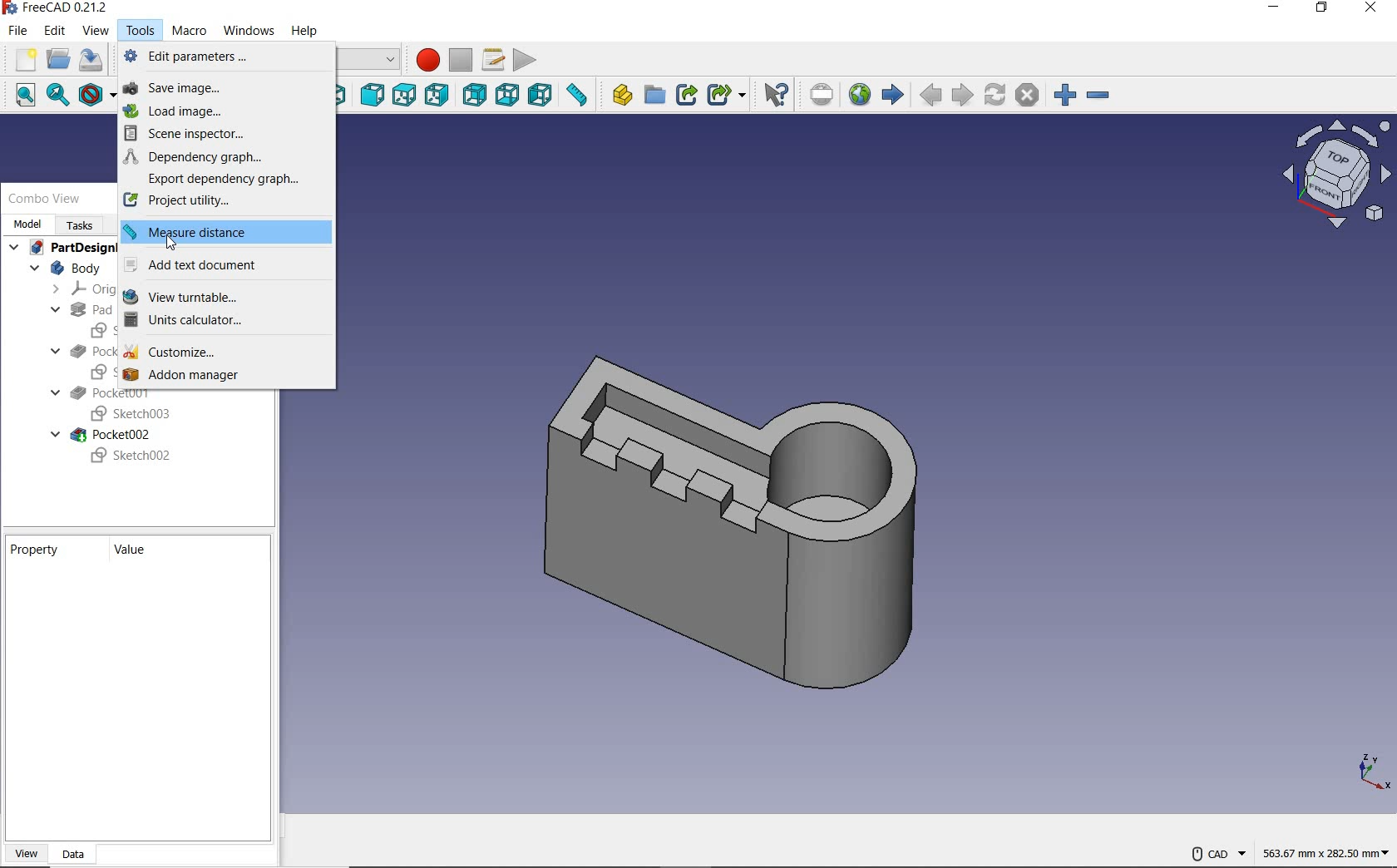  What do you see at coordinates (96, 96) in the screenshot?
I see `draw style` at bounding box center [96, 96].